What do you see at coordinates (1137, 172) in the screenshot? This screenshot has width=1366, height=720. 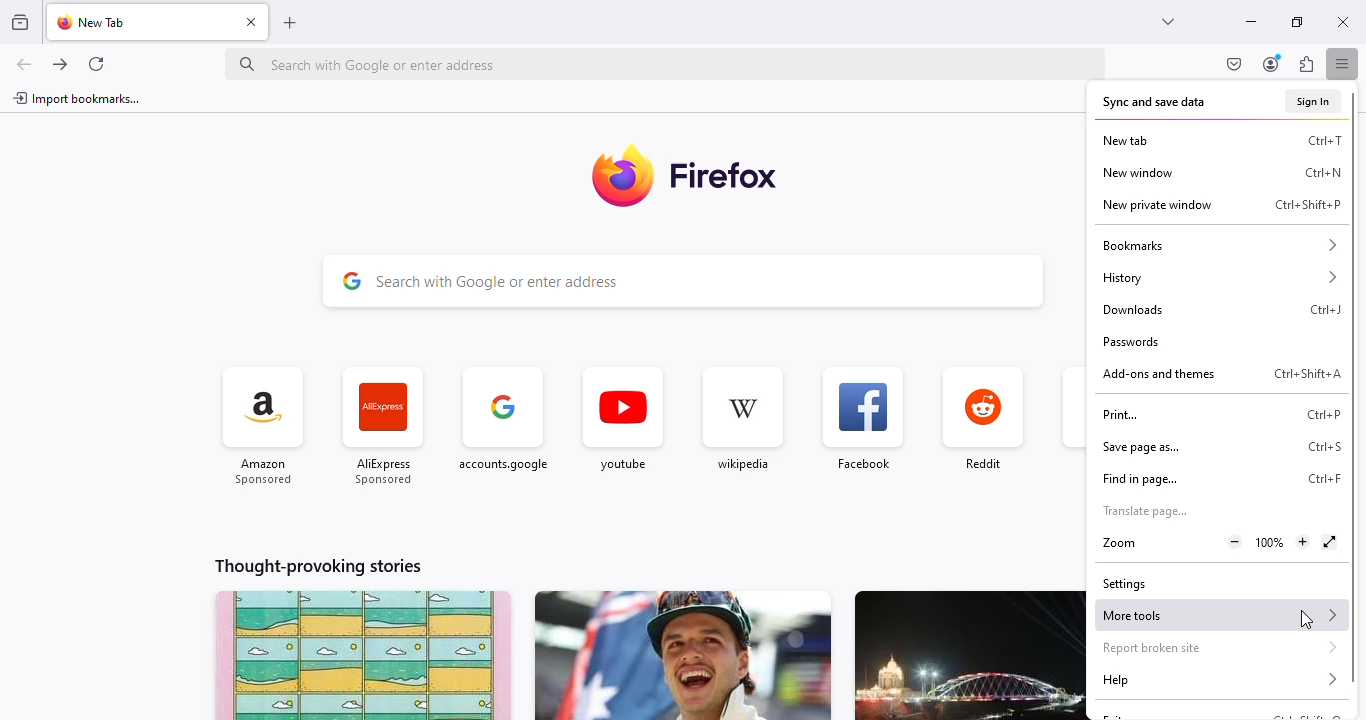 I see `new window` at bounding box center [1137, 172].